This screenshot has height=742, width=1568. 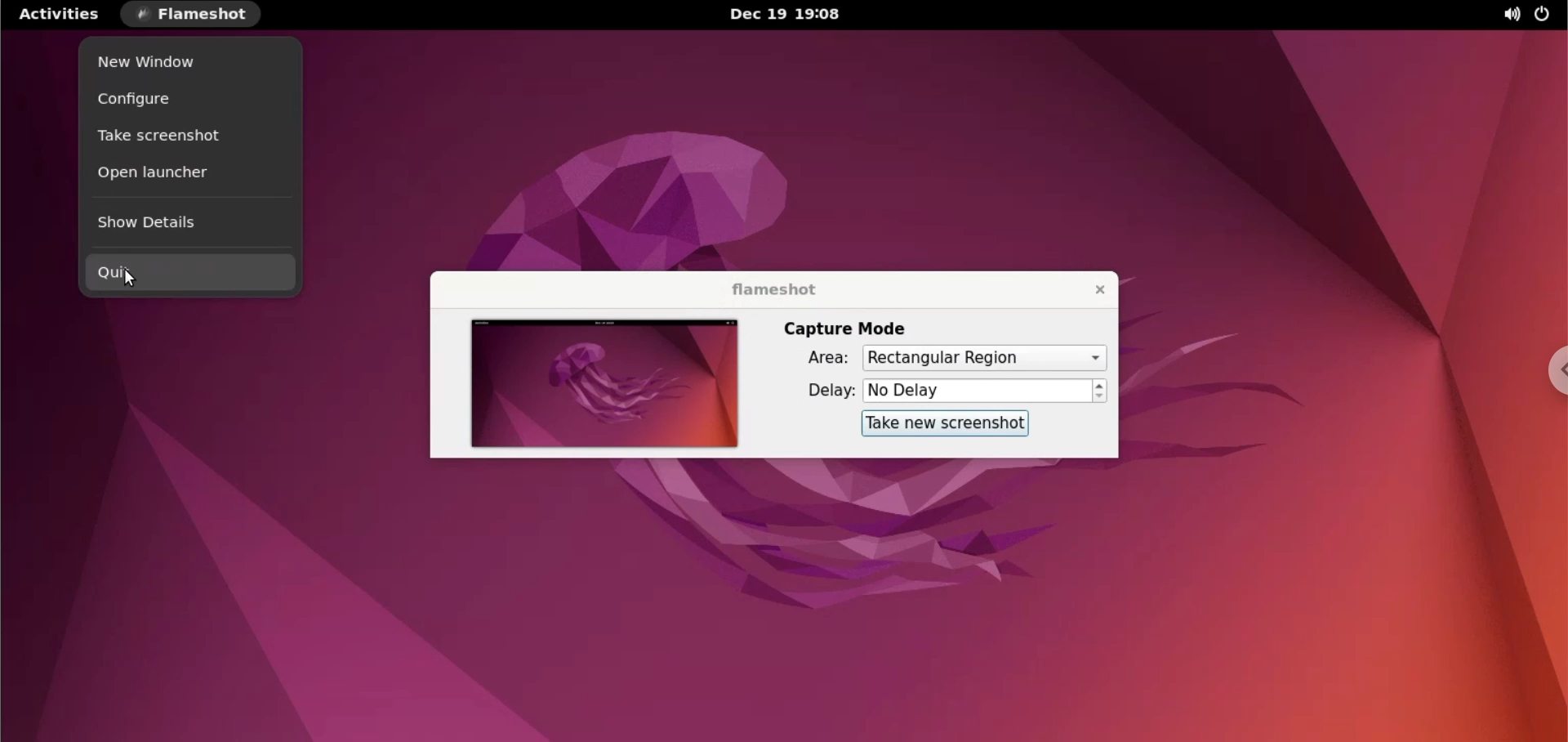 What do you see at coordinates (605, 384) in the screenshot?
I see `screenshot preview` at bounding box center [605, 384].